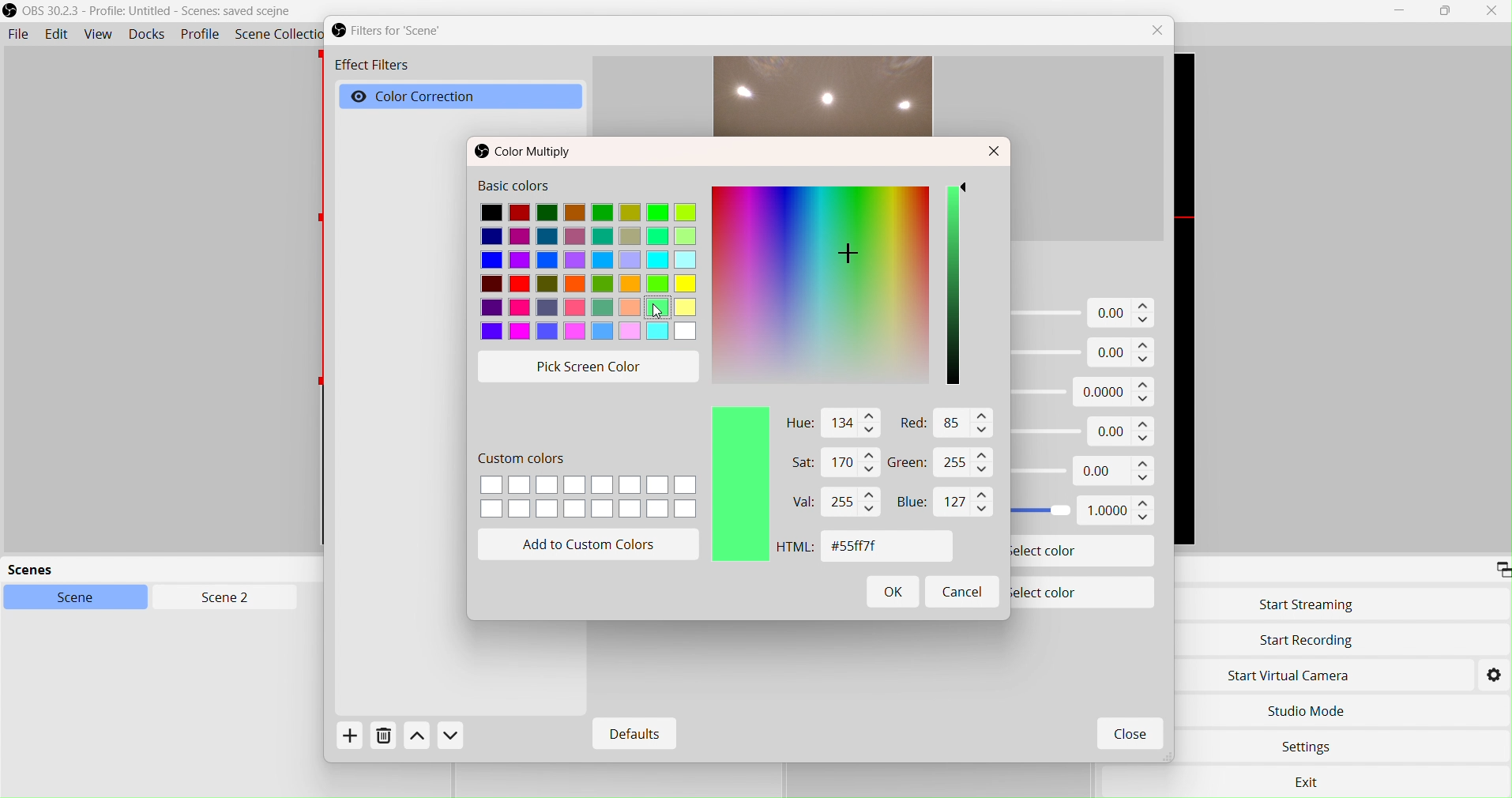  What do you see at coordinates (940, 503) in the screenshot?
I see `Blue: 127 ` at bounding box center [940, 503].